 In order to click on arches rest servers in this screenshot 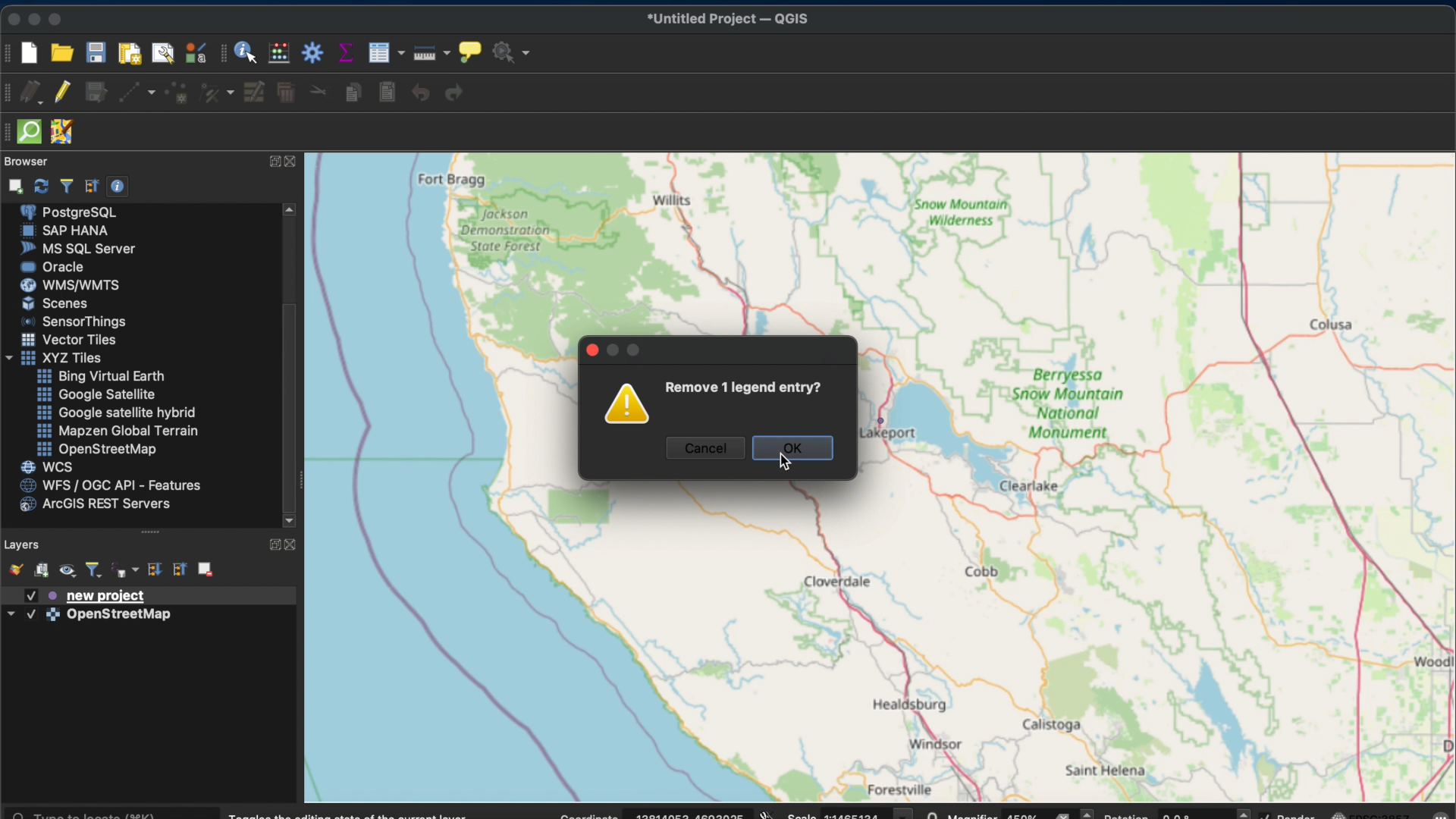, I will do `click(93, 505)`.